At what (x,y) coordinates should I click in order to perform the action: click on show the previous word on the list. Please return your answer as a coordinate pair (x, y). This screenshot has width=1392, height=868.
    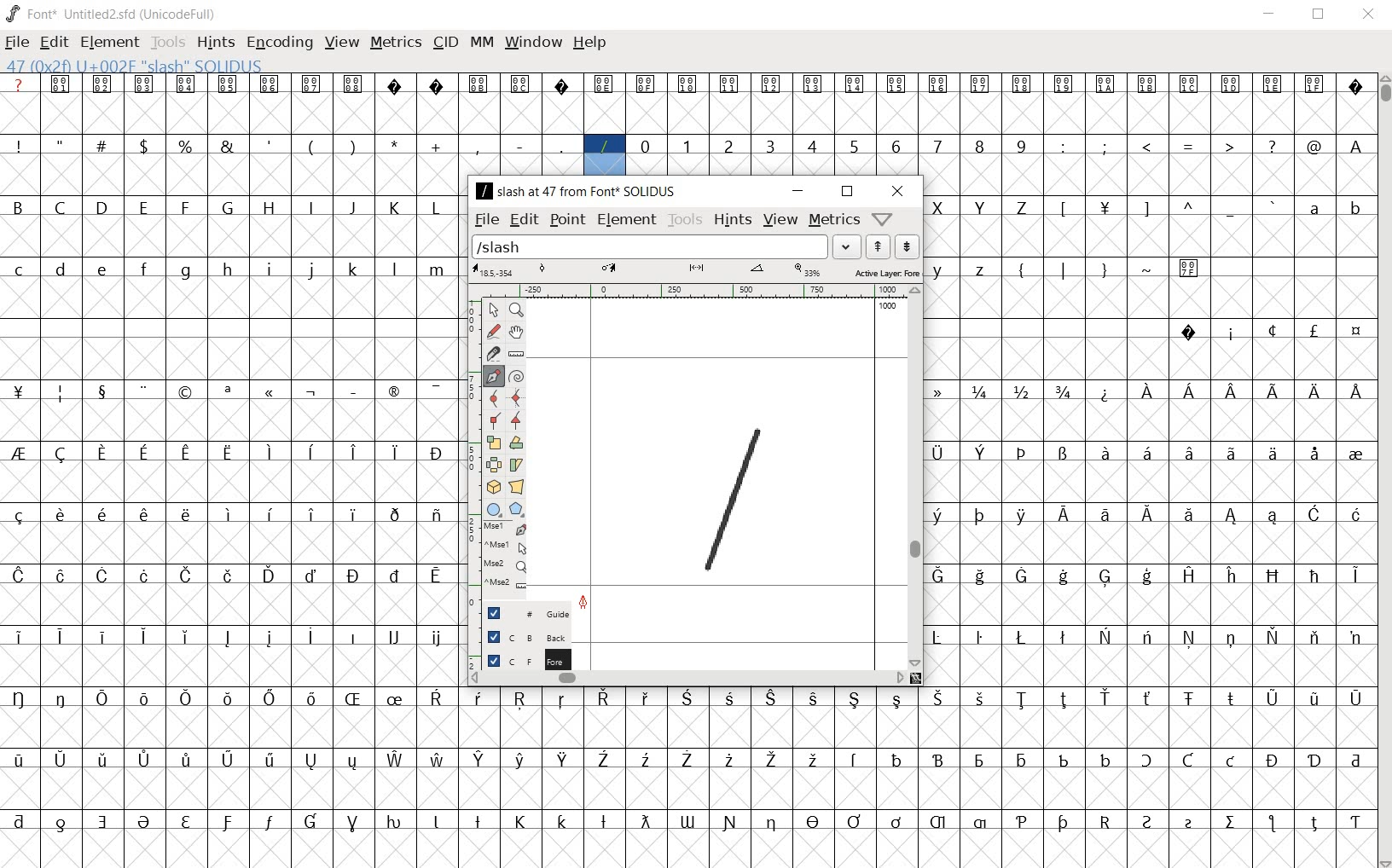
    Looking at the image, I should click on (908, 246).